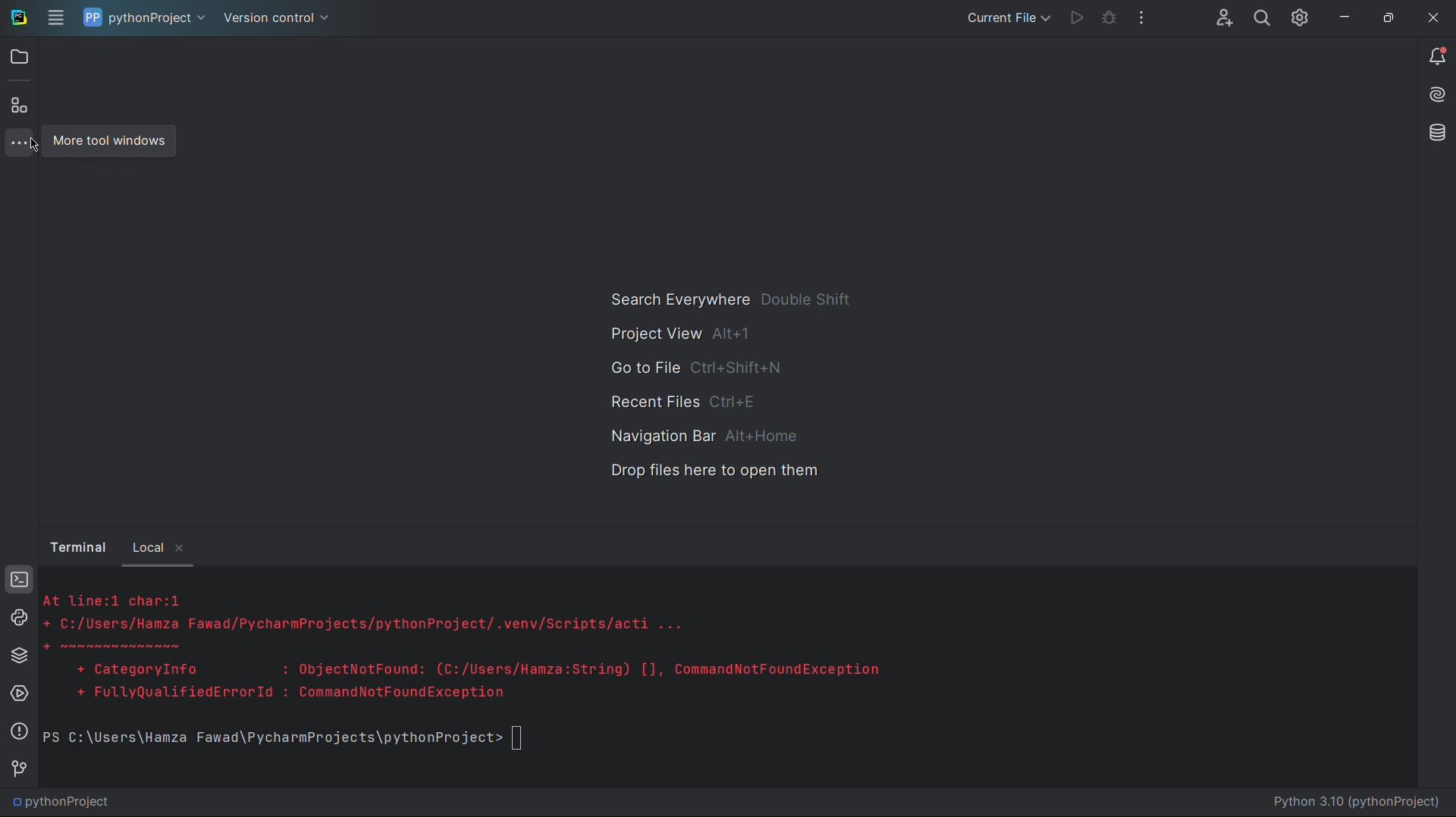  Describe the element at coordinates (115, 141) in the screenshot. I see `More tool windows` at that location.